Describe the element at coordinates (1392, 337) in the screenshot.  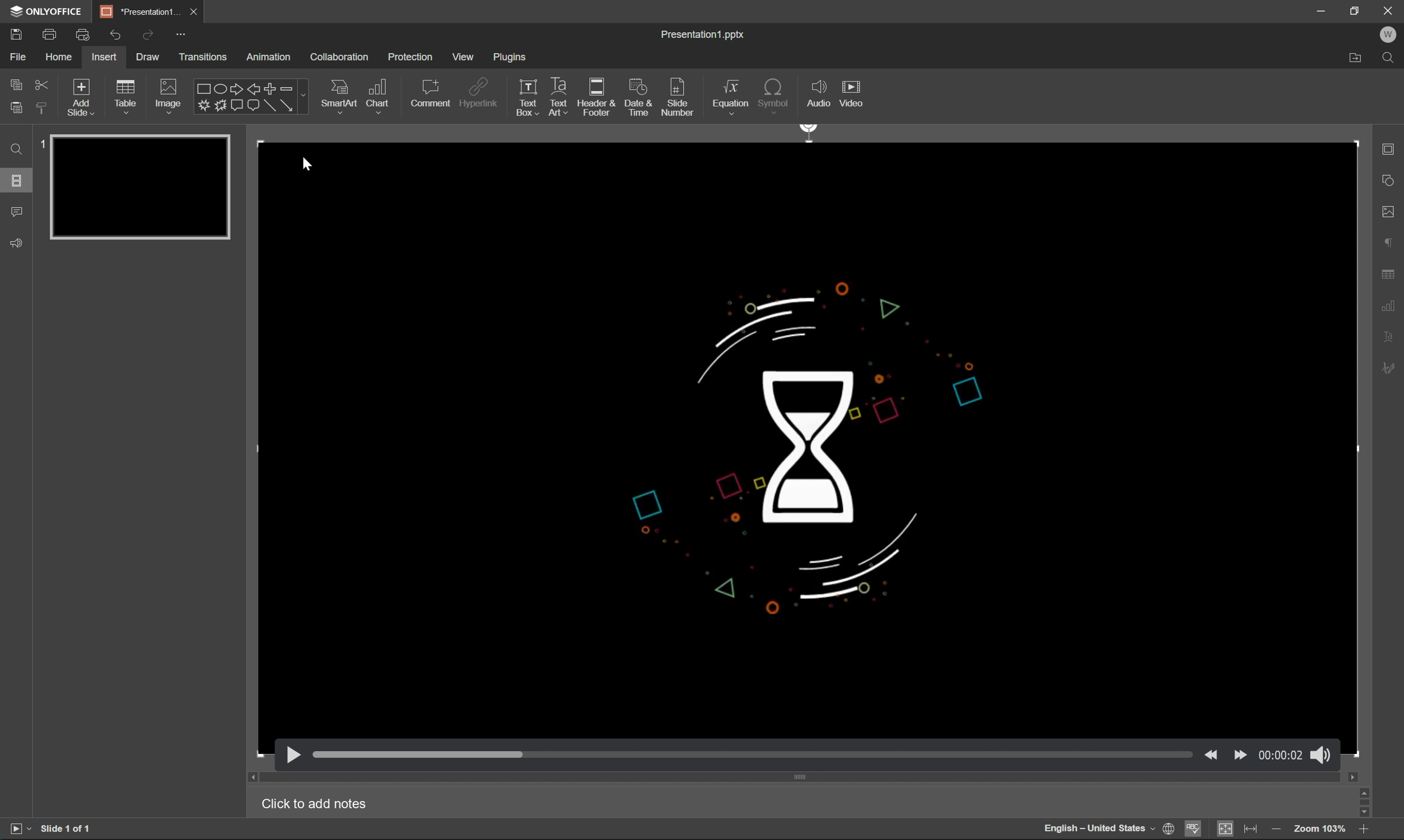
I see `text art settings` at that location.